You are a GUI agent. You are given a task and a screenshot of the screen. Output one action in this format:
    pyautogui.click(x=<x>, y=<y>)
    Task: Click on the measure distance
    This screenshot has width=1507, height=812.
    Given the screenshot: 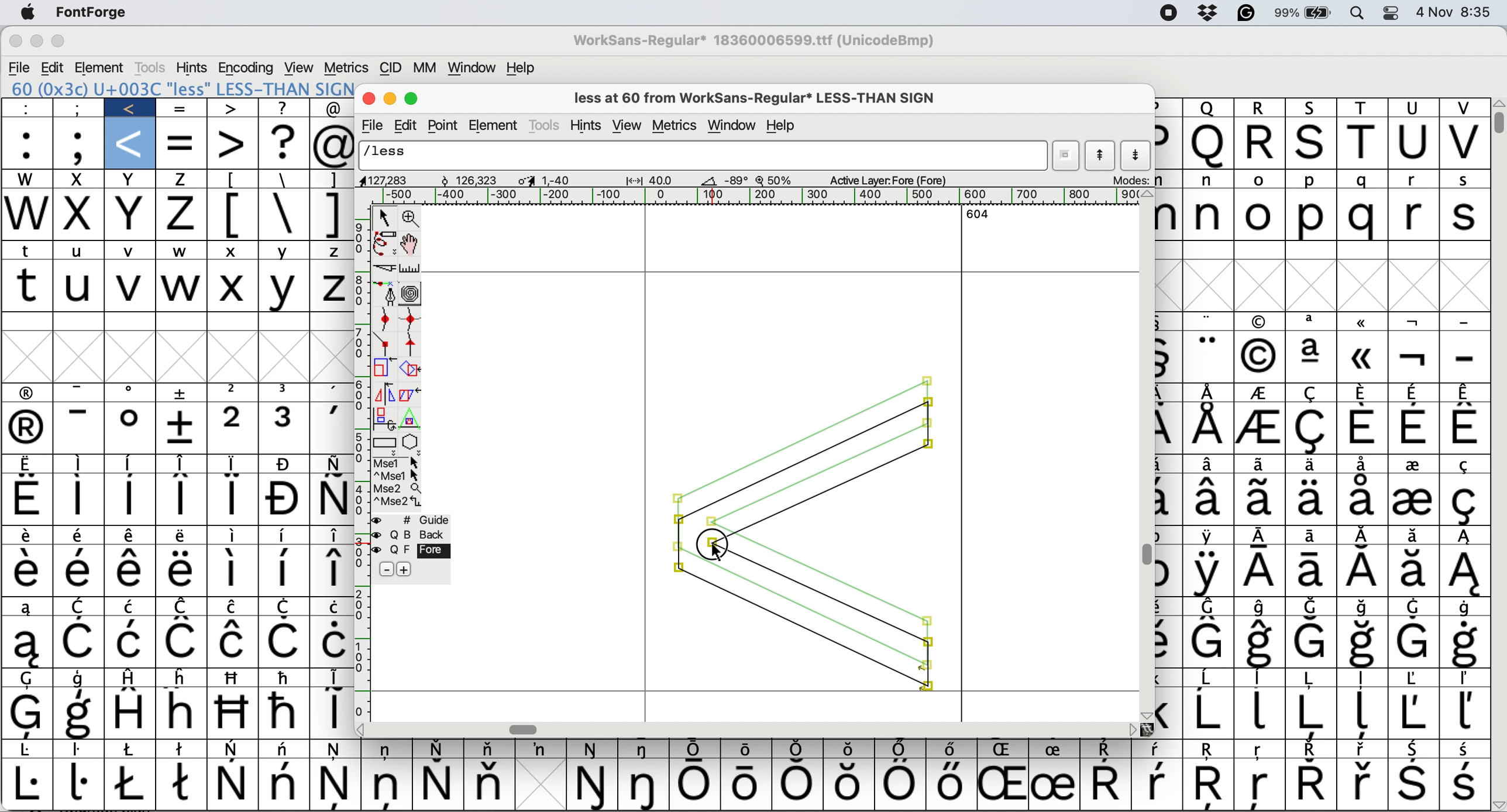 What is the action you would take?
    pyautogui.click(x=412, y=267)
    